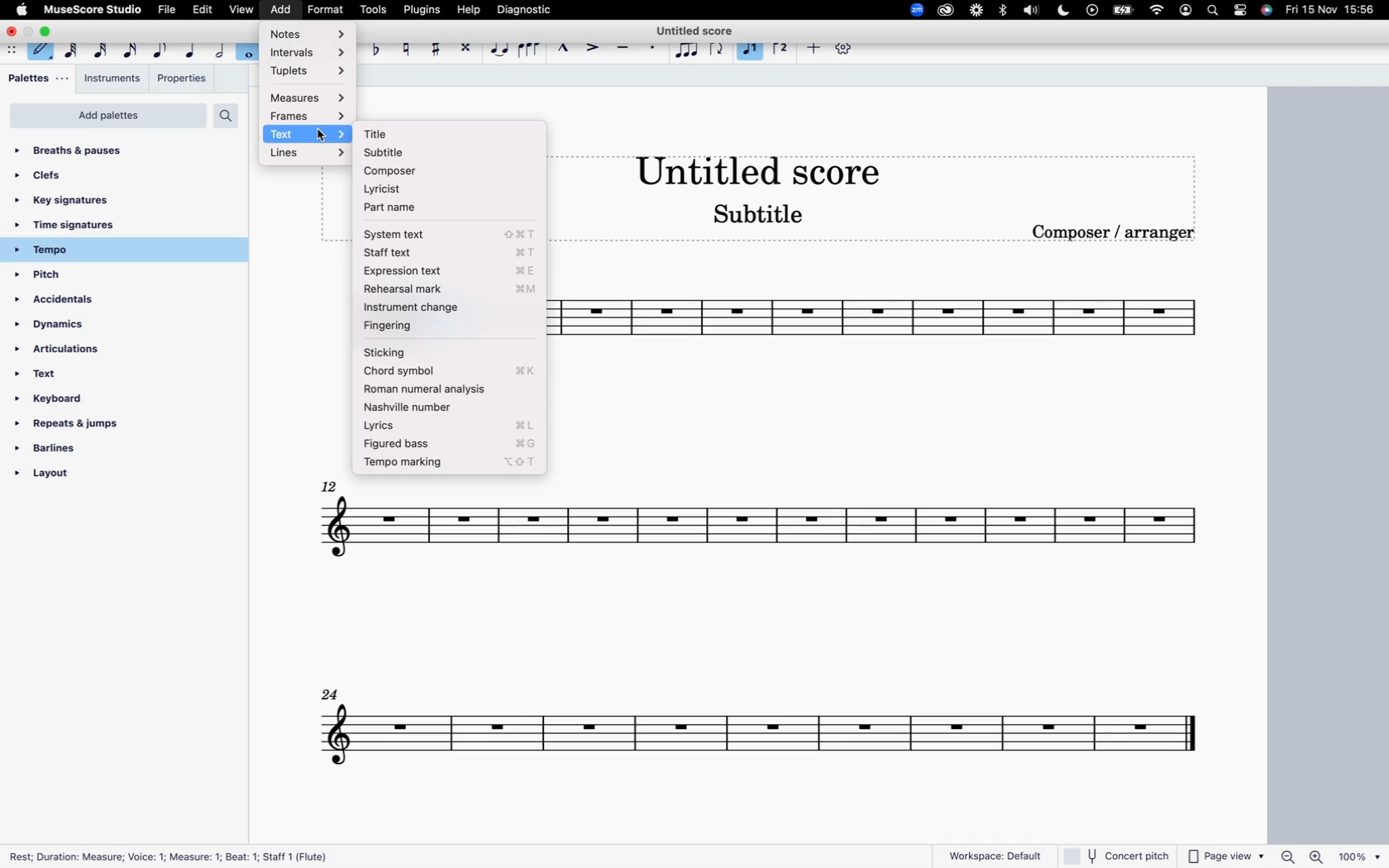 The height and width of the screenshot is (868, 1389). What do you see at coordinates (1185, 12) in the screenshot?
I see `profile` at bounding box center [1185, 12].